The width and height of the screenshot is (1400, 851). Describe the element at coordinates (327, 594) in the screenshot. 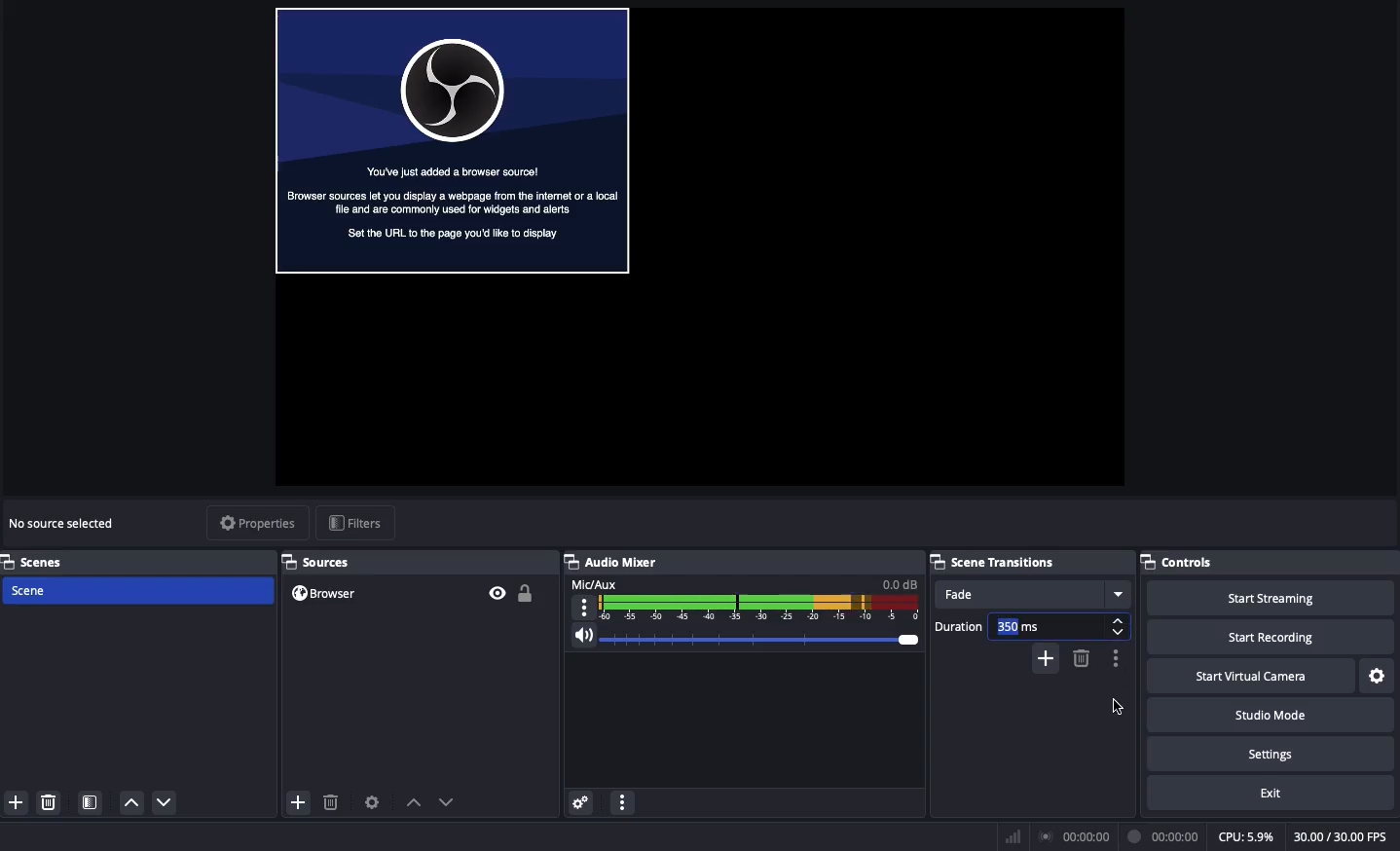

I see `Browser` at that location.